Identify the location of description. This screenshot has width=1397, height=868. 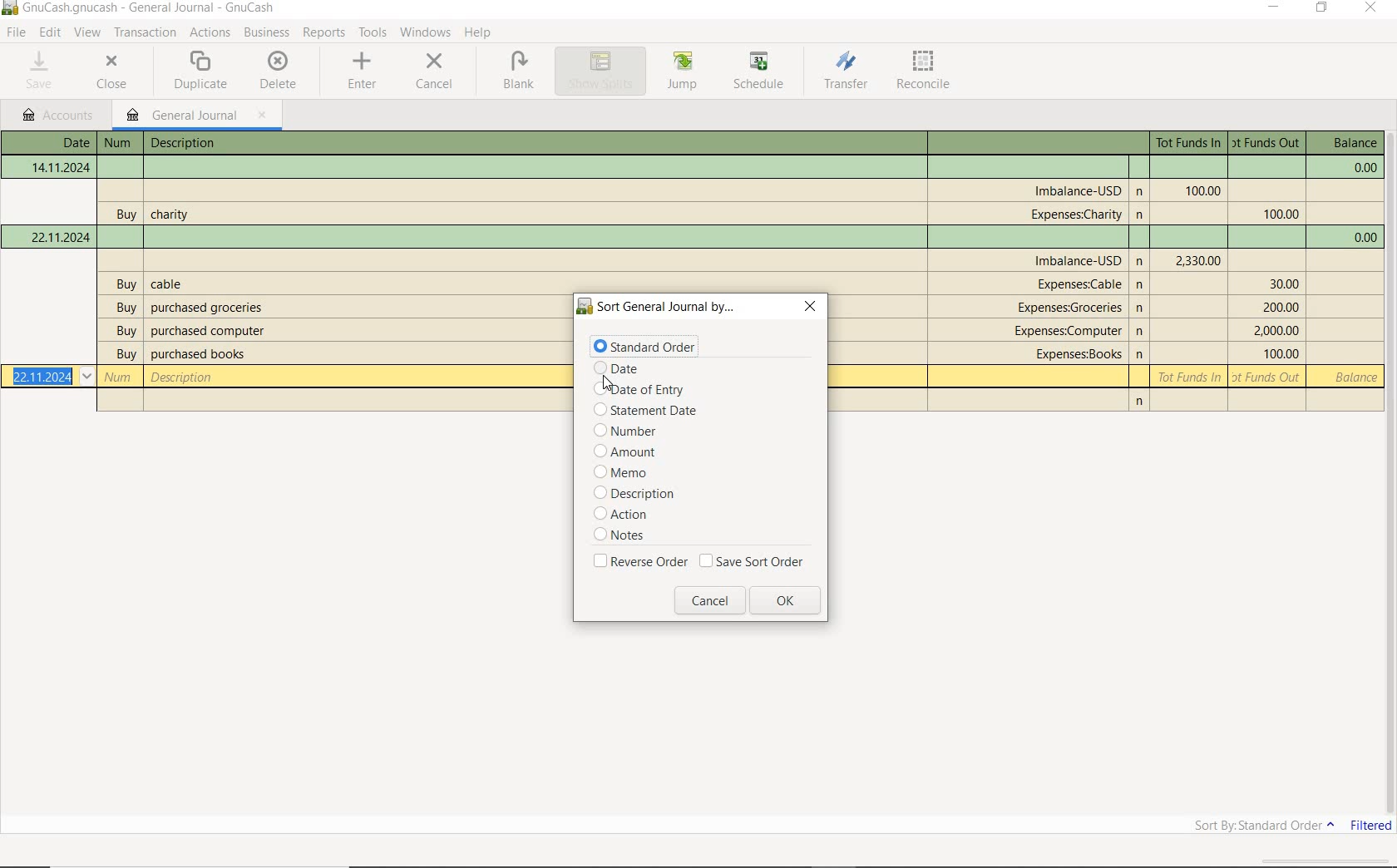
(172, 212).